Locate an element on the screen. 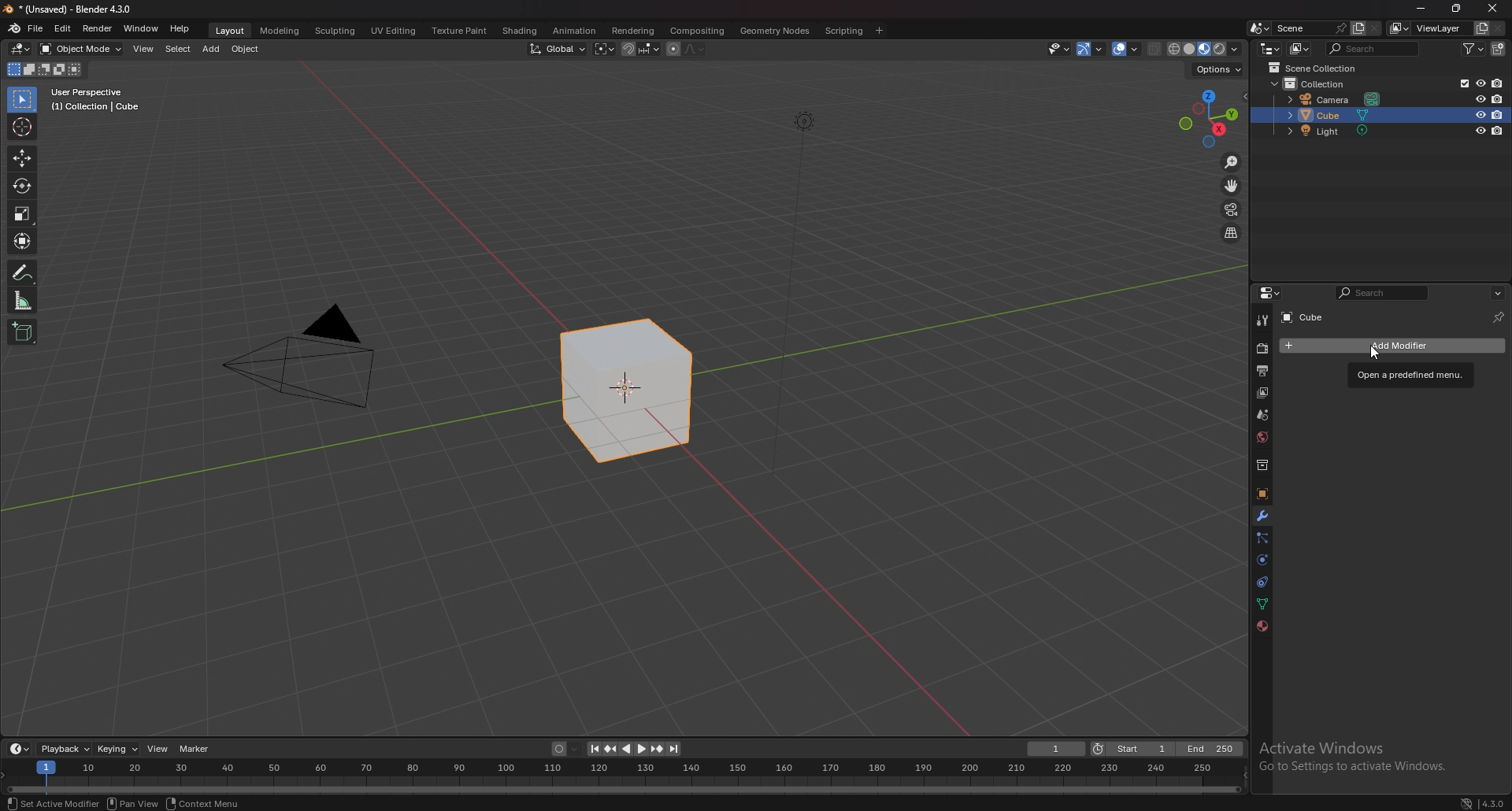  options is located at coordinates (1218, 69).